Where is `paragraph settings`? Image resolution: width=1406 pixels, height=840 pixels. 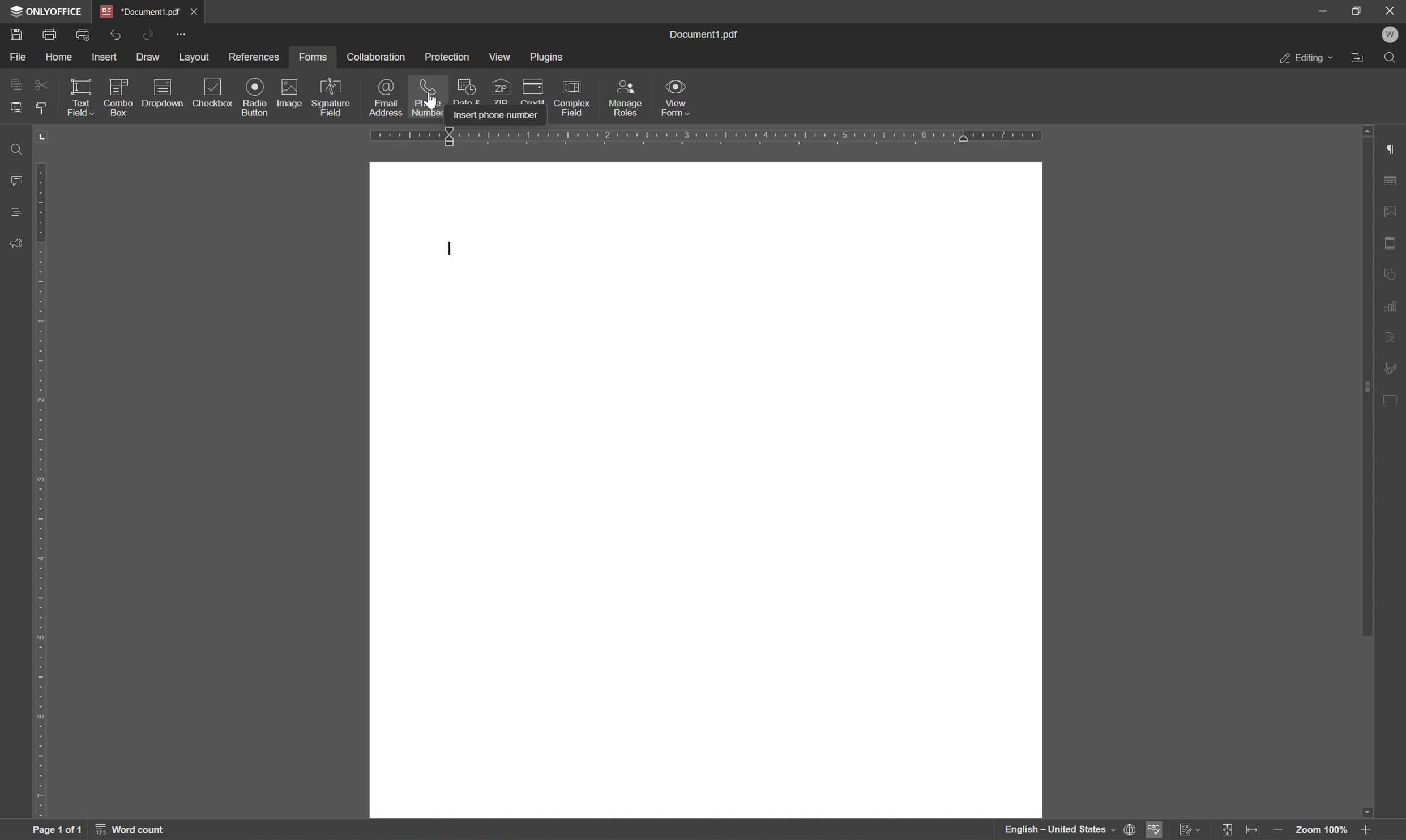 paragraph settings is located at coordinates (1390, 147).